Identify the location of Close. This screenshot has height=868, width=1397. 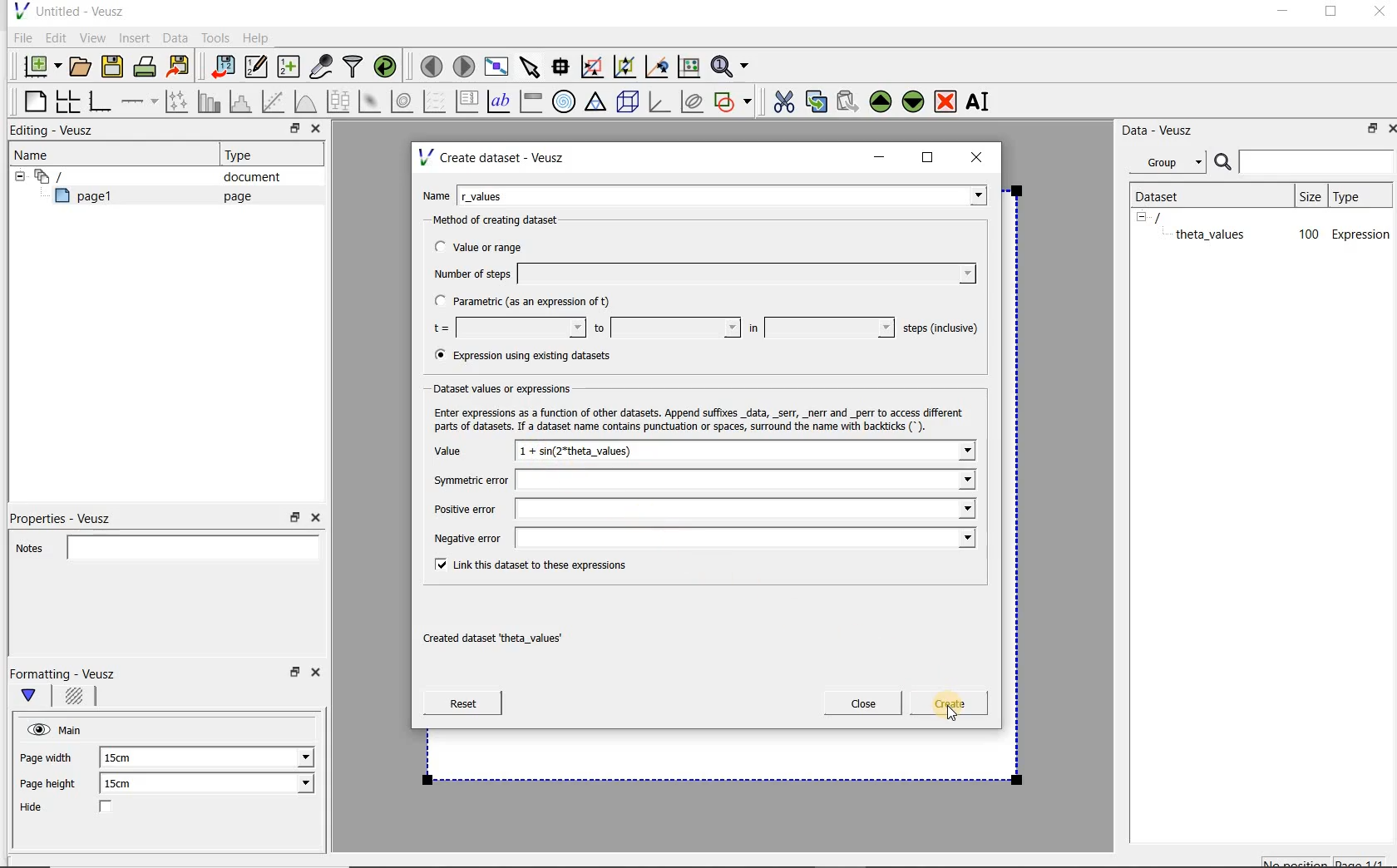
(1378, 14).